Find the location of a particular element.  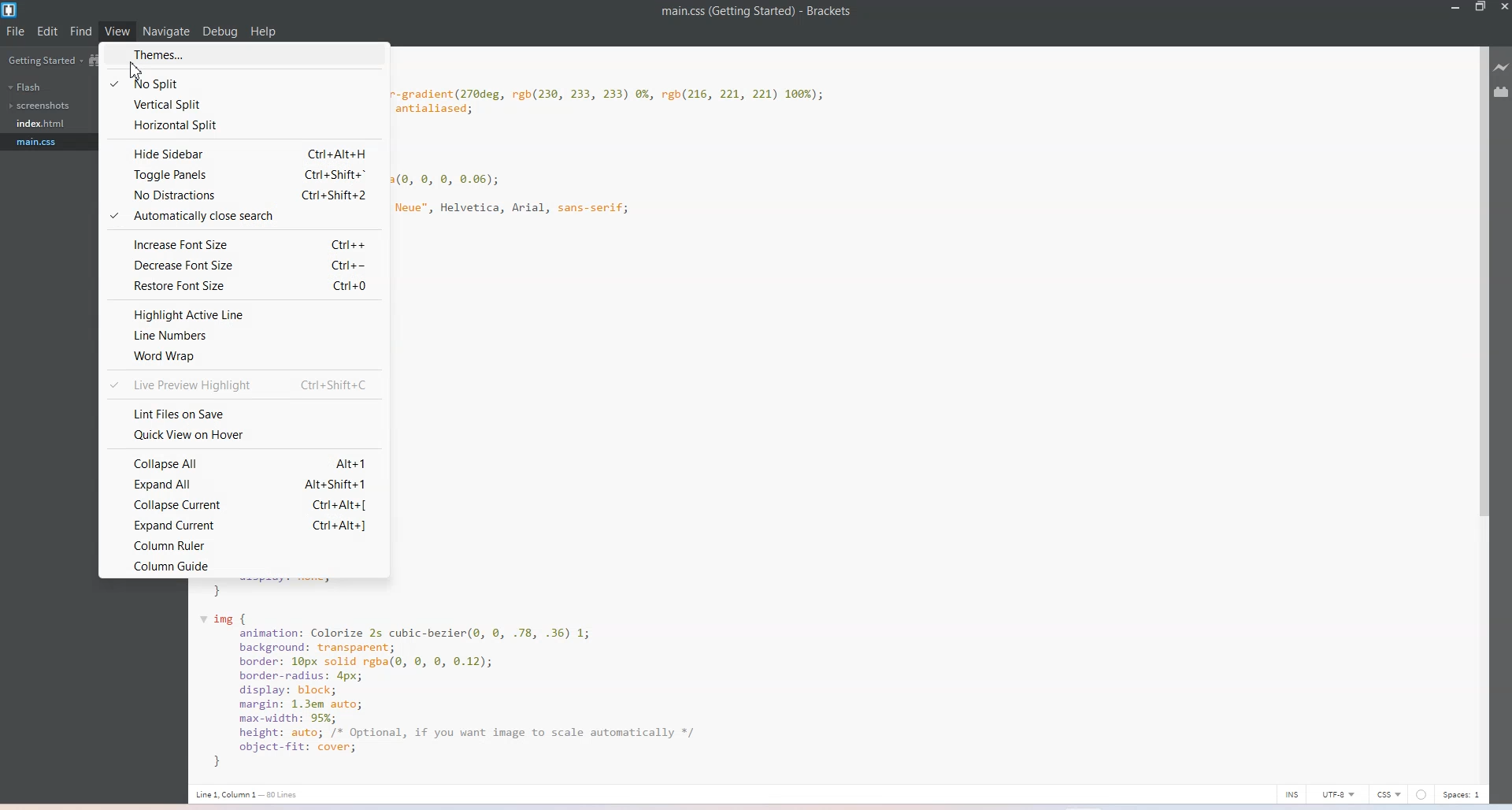

UTF-8 is located at coordinates (1339, 793).